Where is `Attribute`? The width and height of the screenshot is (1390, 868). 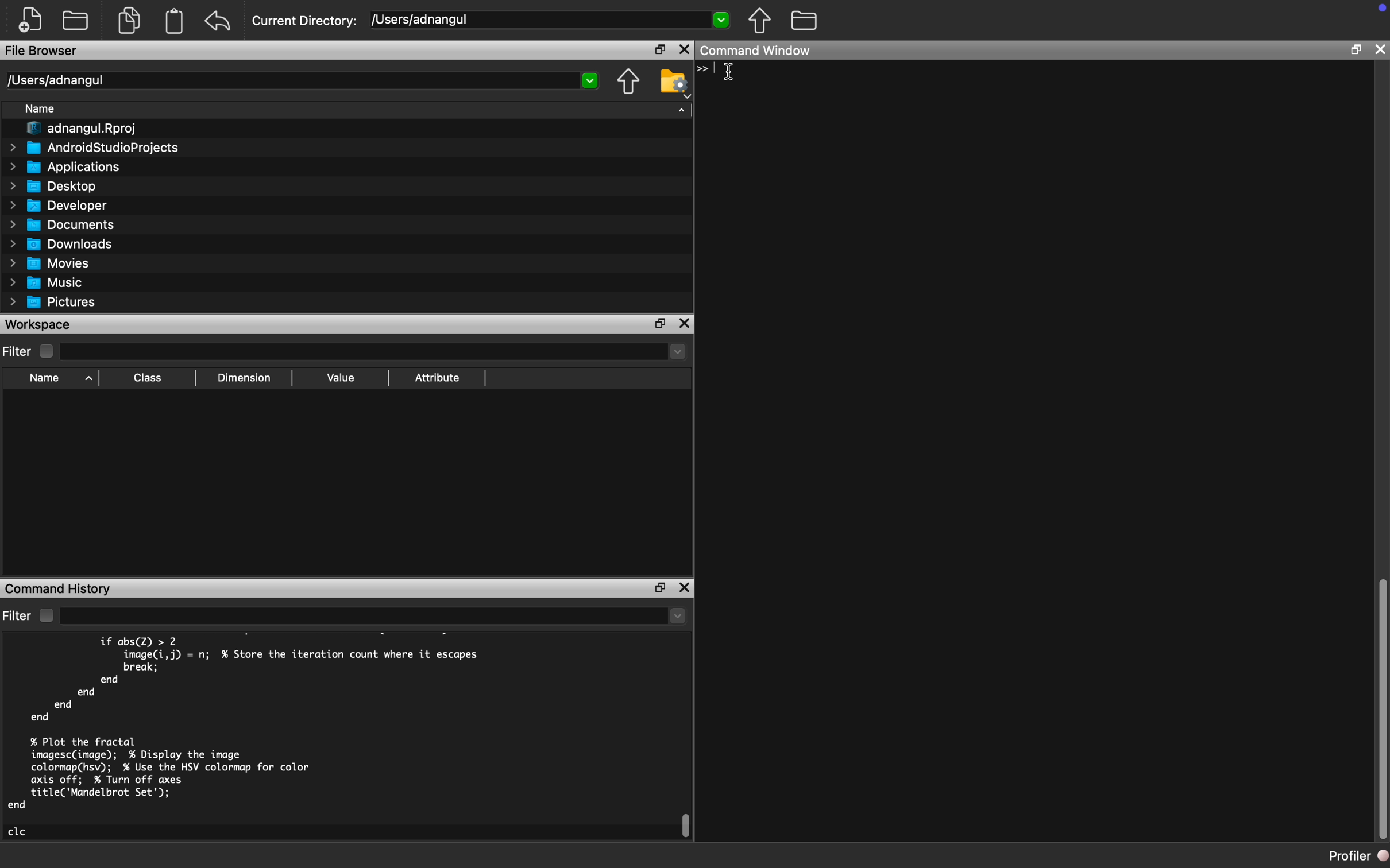
Attribute is located at coordinates (438, 377).